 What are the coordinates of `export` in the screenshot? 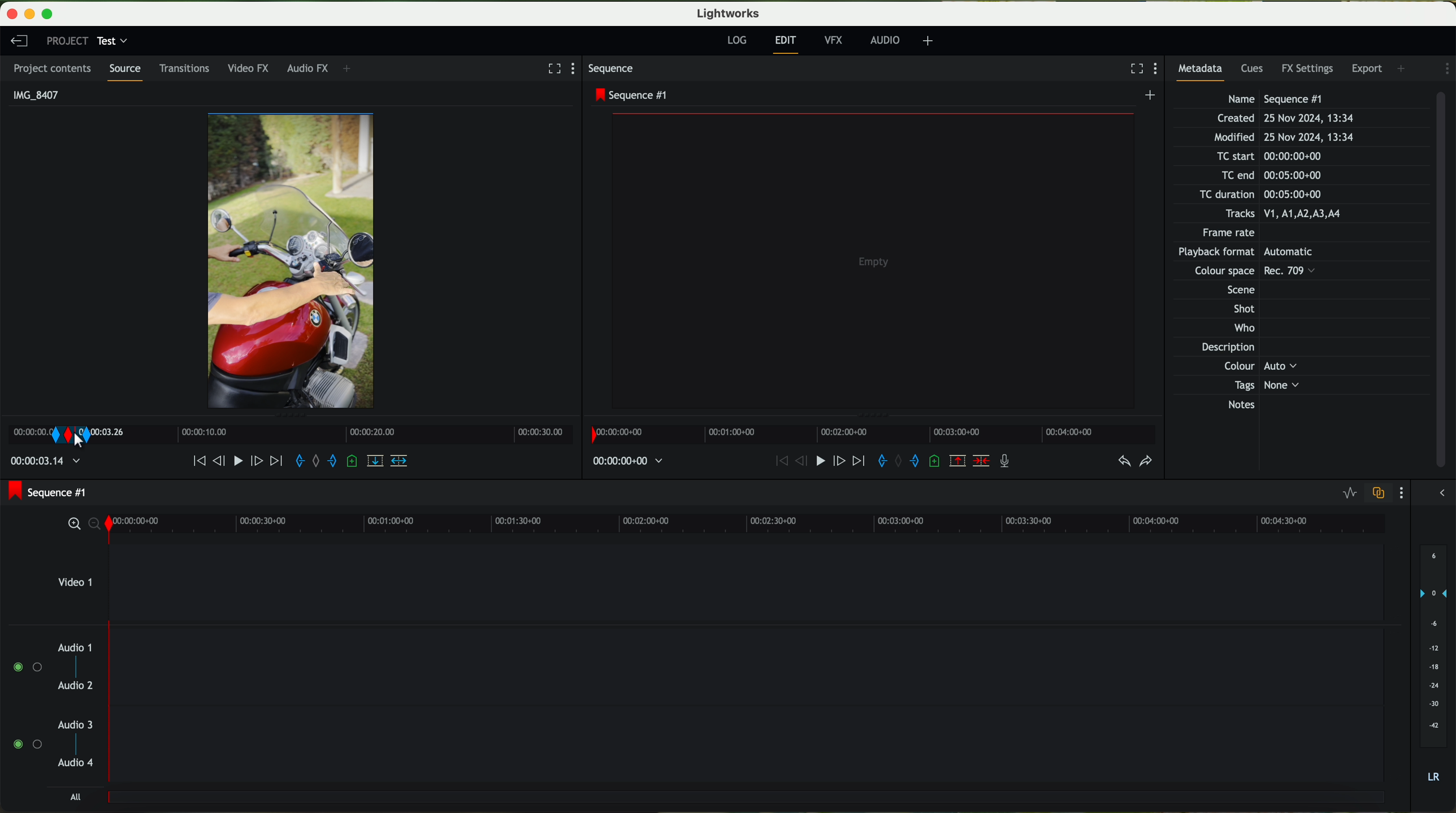 It's located at (1368, 67).